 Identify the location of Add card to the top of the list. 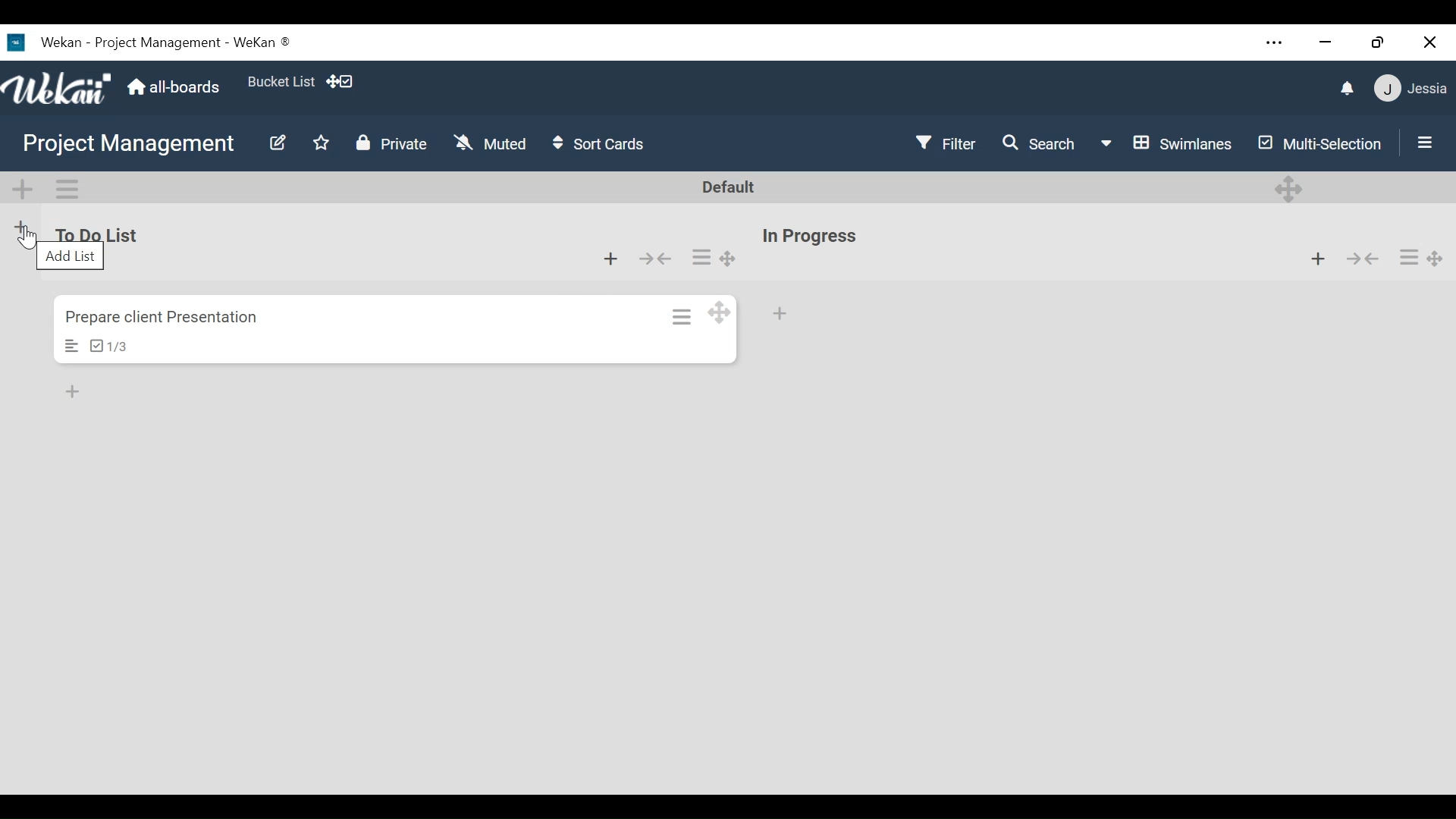
(1316, 259).